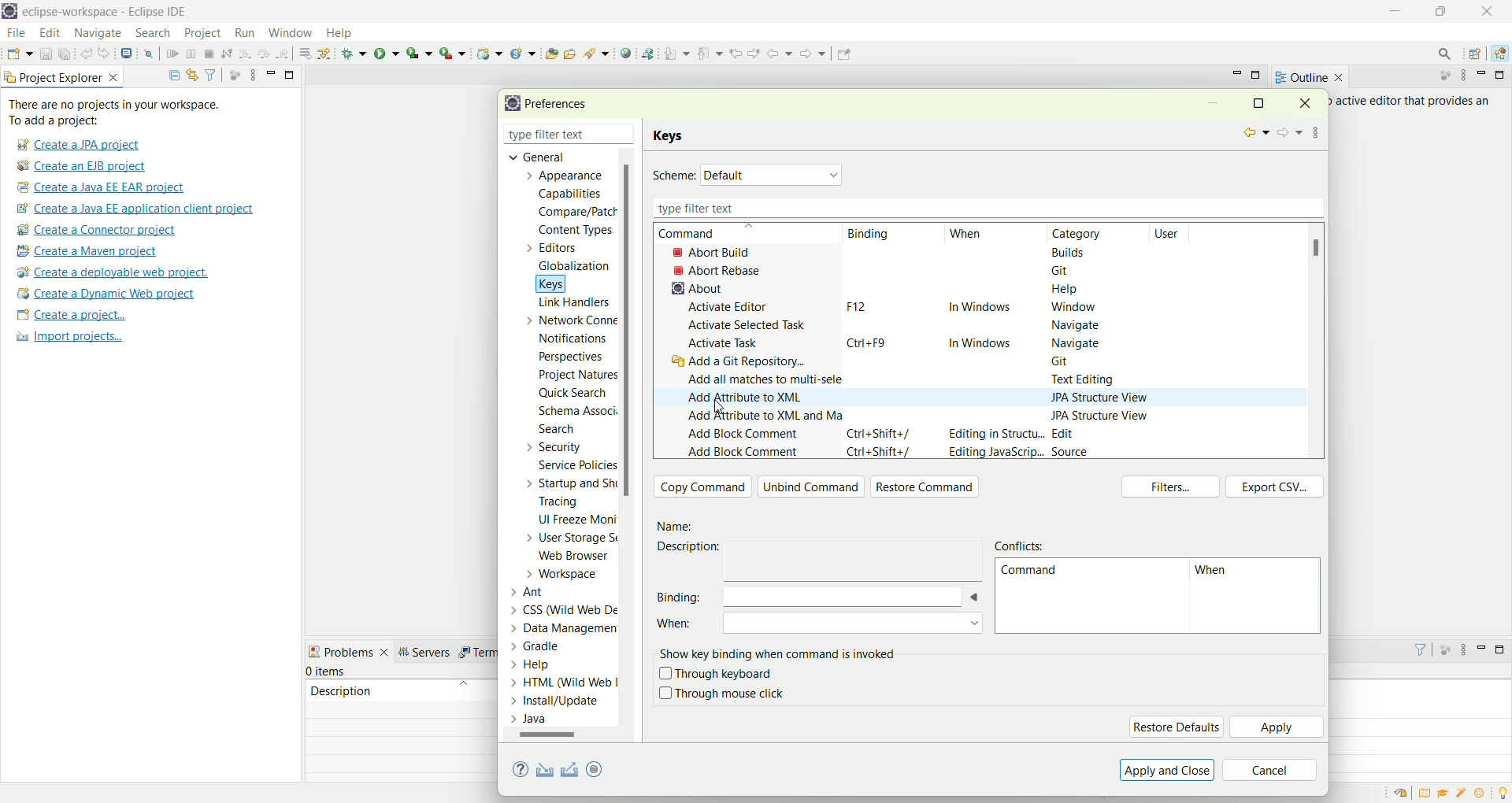 The width and height of the screenshot is (1512, 803). I want to click on Gradle, so click(550, 645).